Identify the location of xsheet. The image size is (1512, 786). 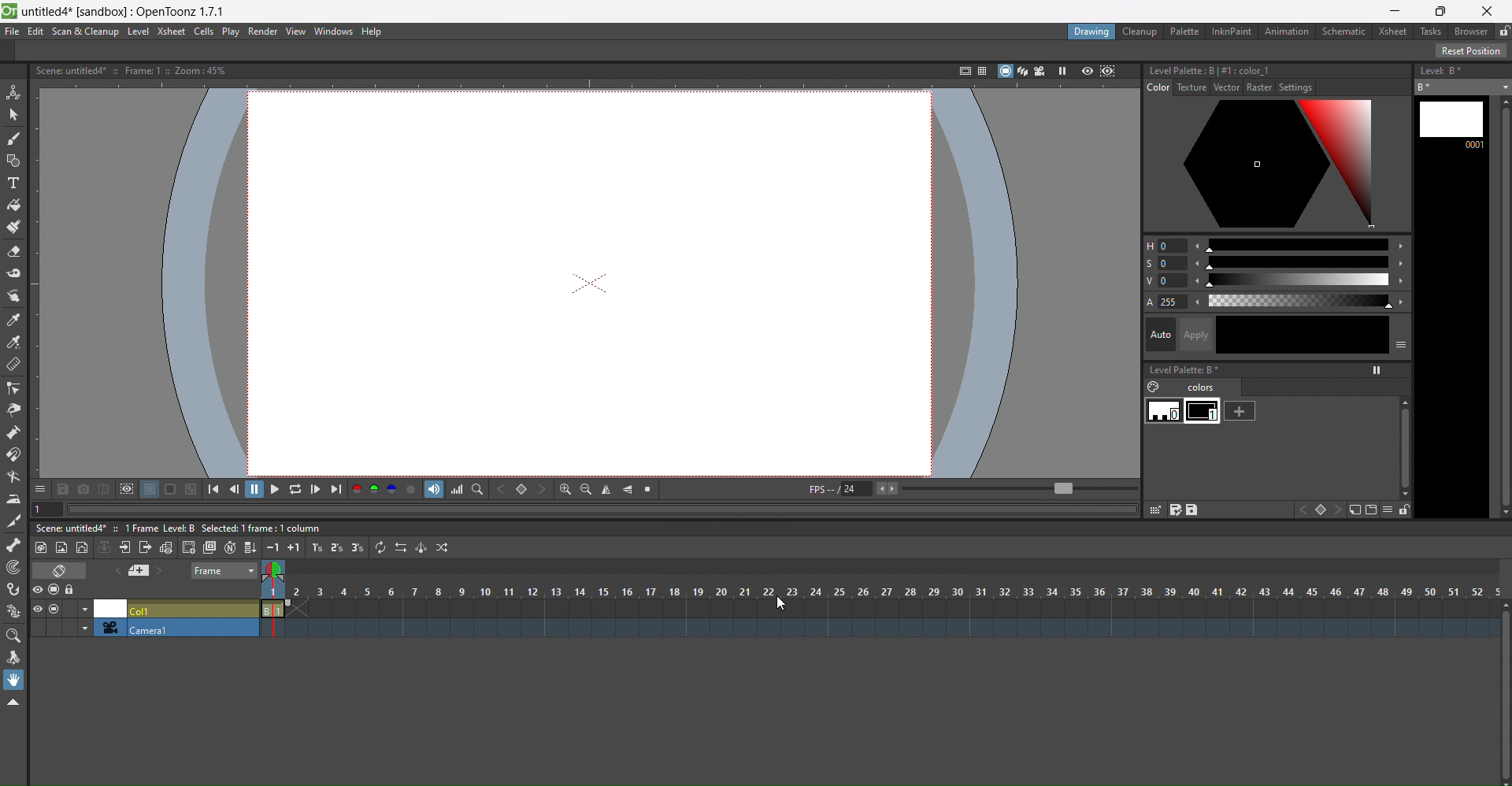
(1390, 30).